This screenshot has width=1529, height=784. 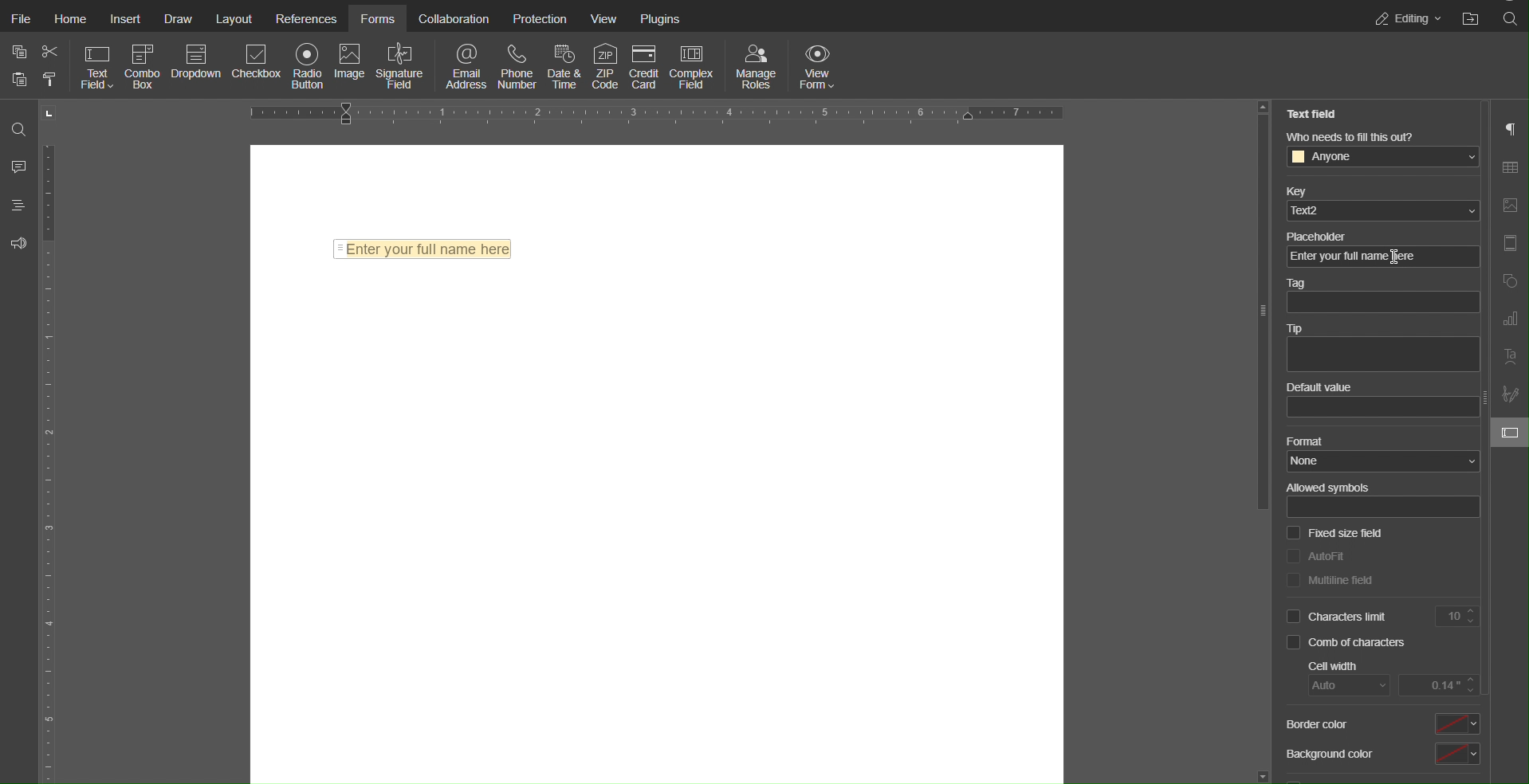 I want to click on Signature, so click(x=399, y=66).